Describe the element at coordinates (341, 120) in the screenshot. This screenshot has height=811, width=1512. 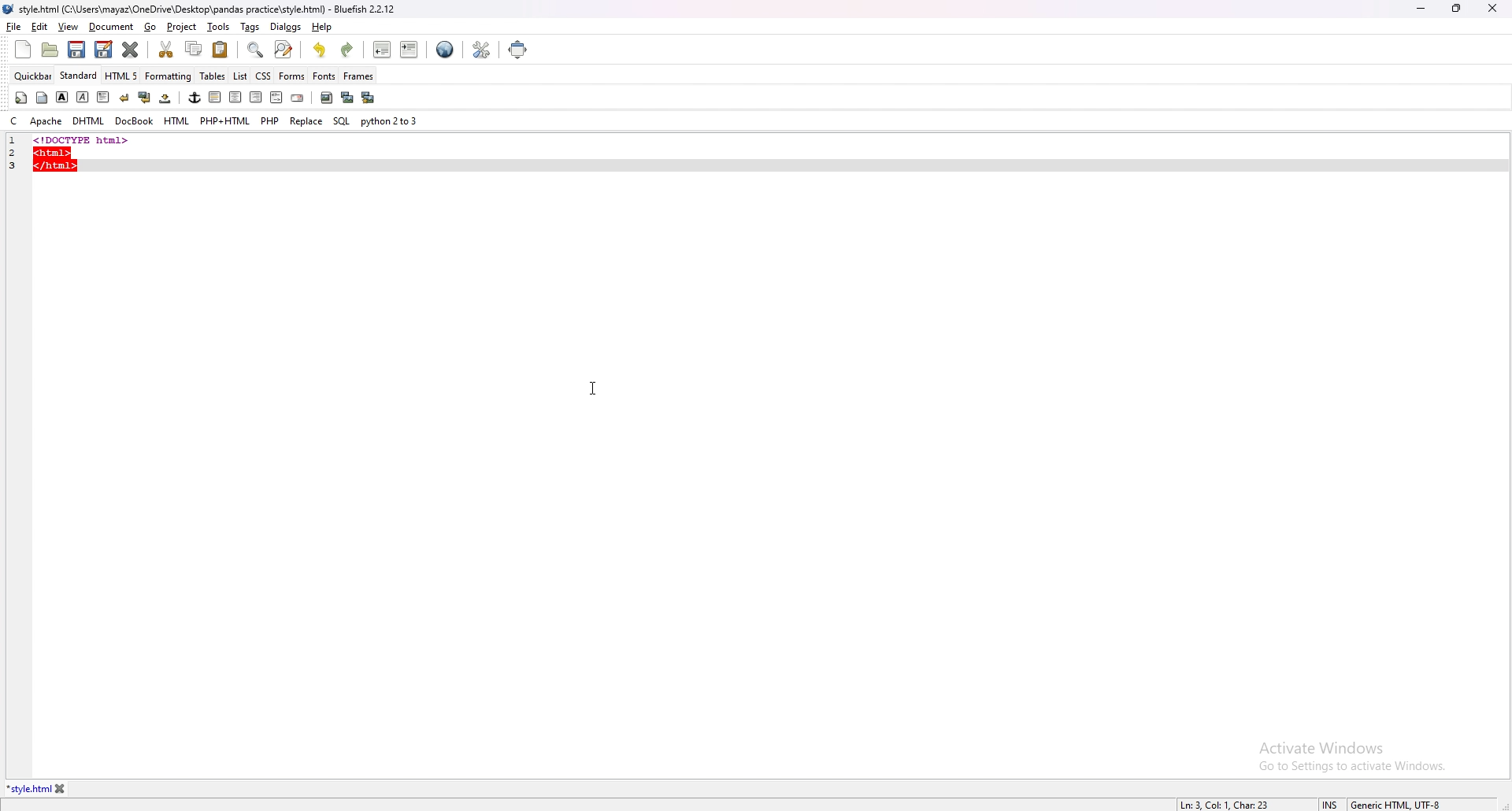
I see `sql` at that location.